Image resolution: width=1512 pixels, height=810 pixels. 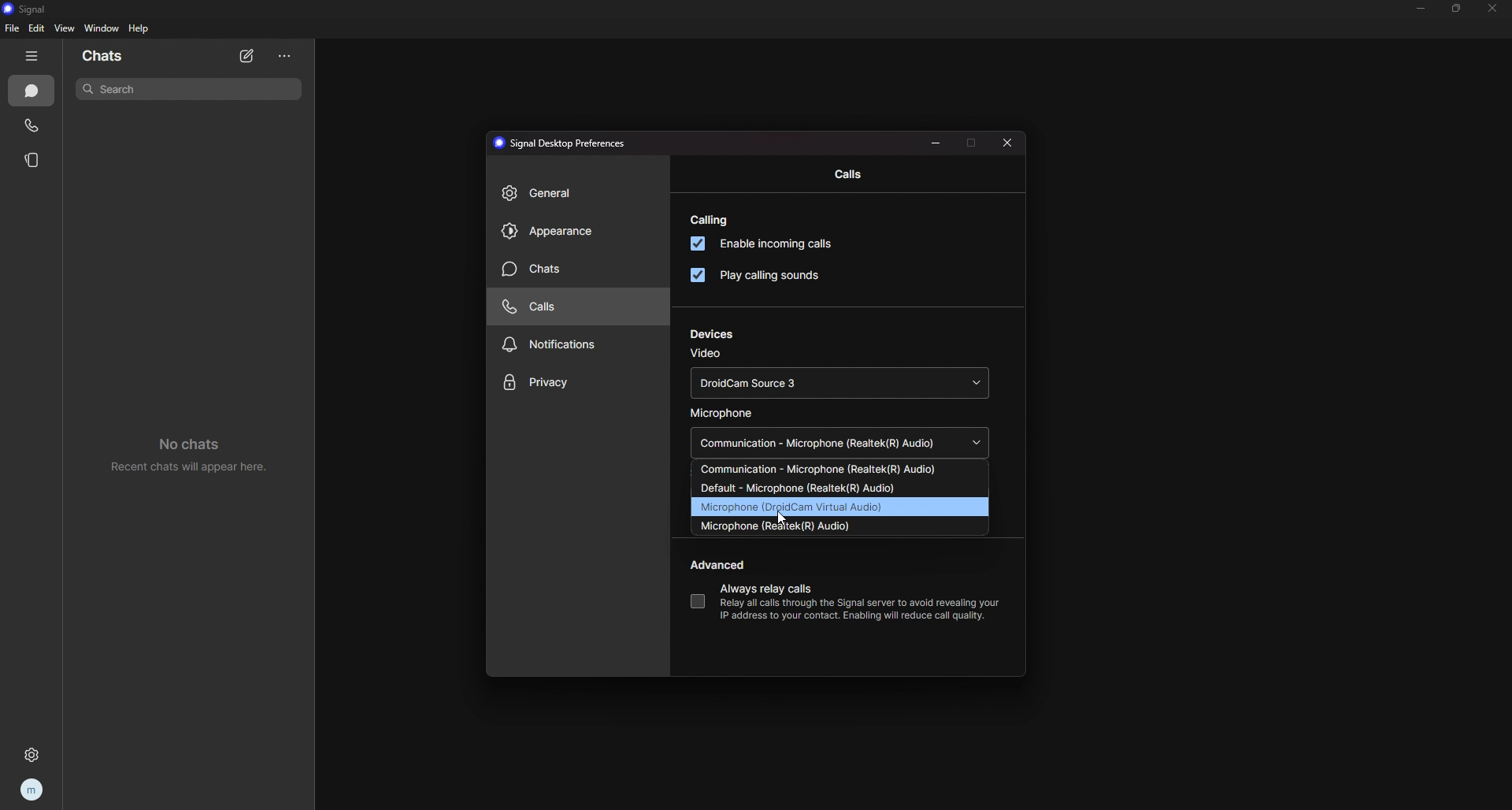 I want to click on profile, so click(x=30, y=790).